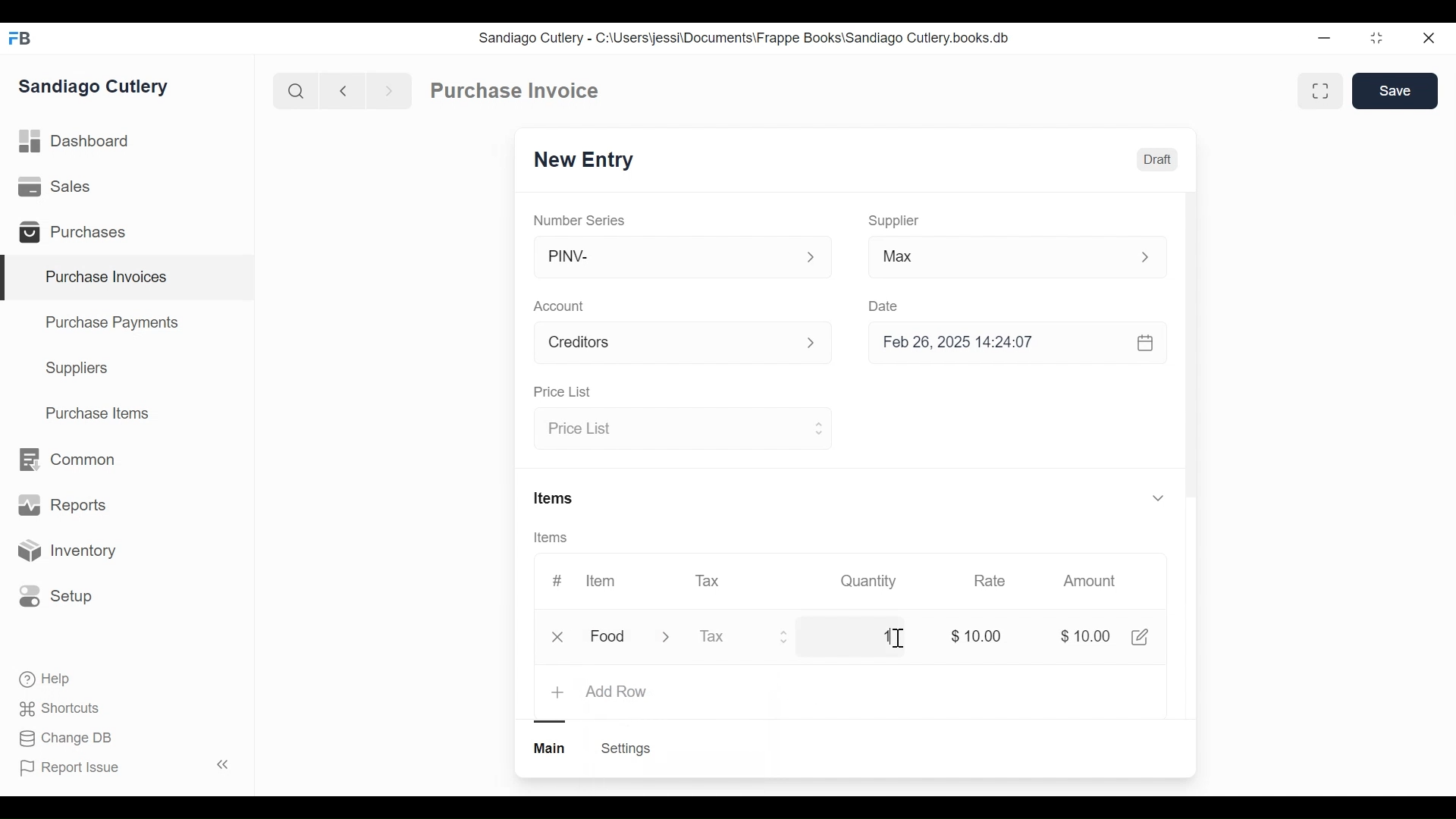  I want to click on Draft, so click(1158, 162).